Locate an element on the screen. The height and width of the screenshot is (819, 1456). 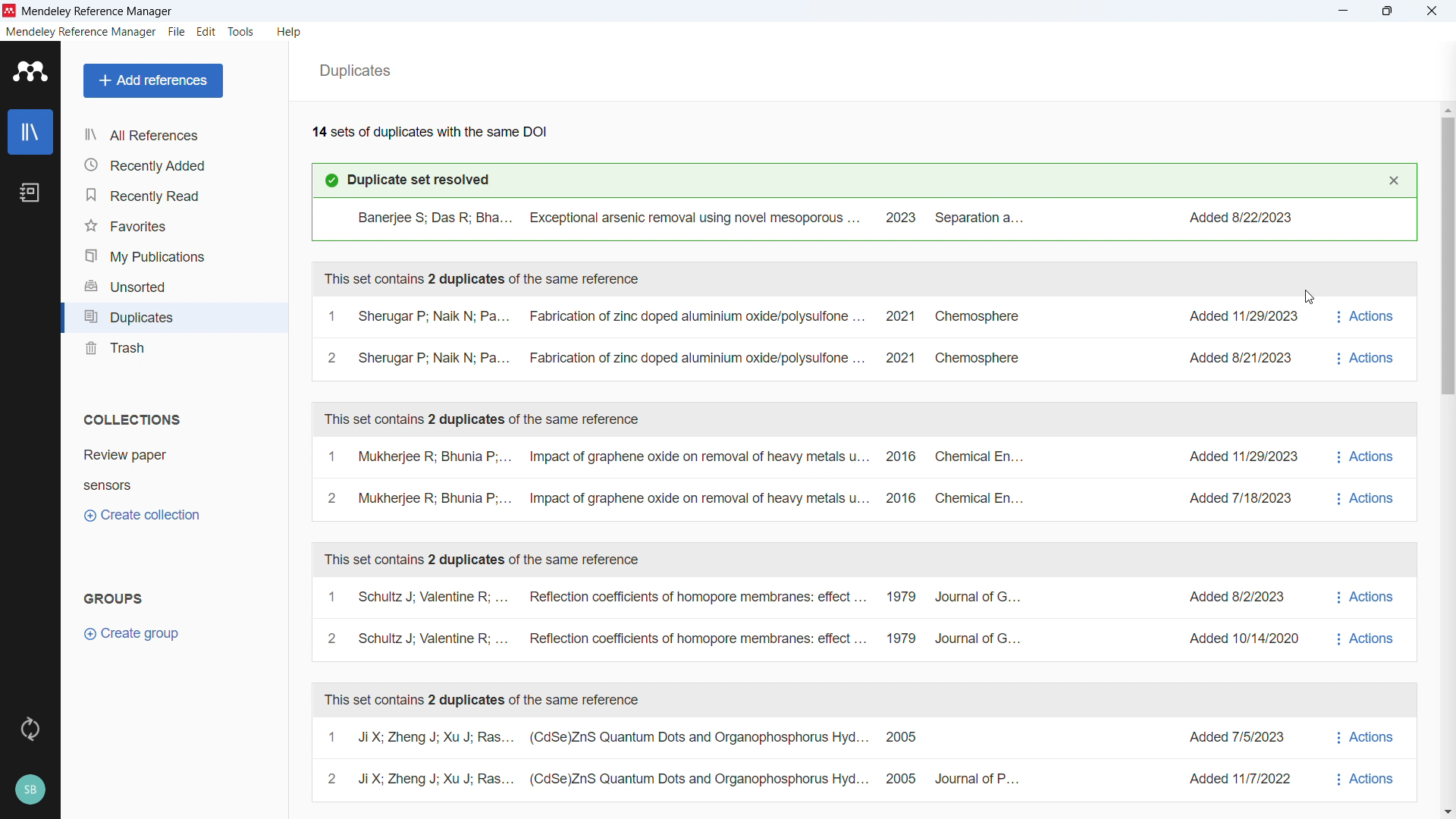
actions  is located at coordinates (1365, 618).